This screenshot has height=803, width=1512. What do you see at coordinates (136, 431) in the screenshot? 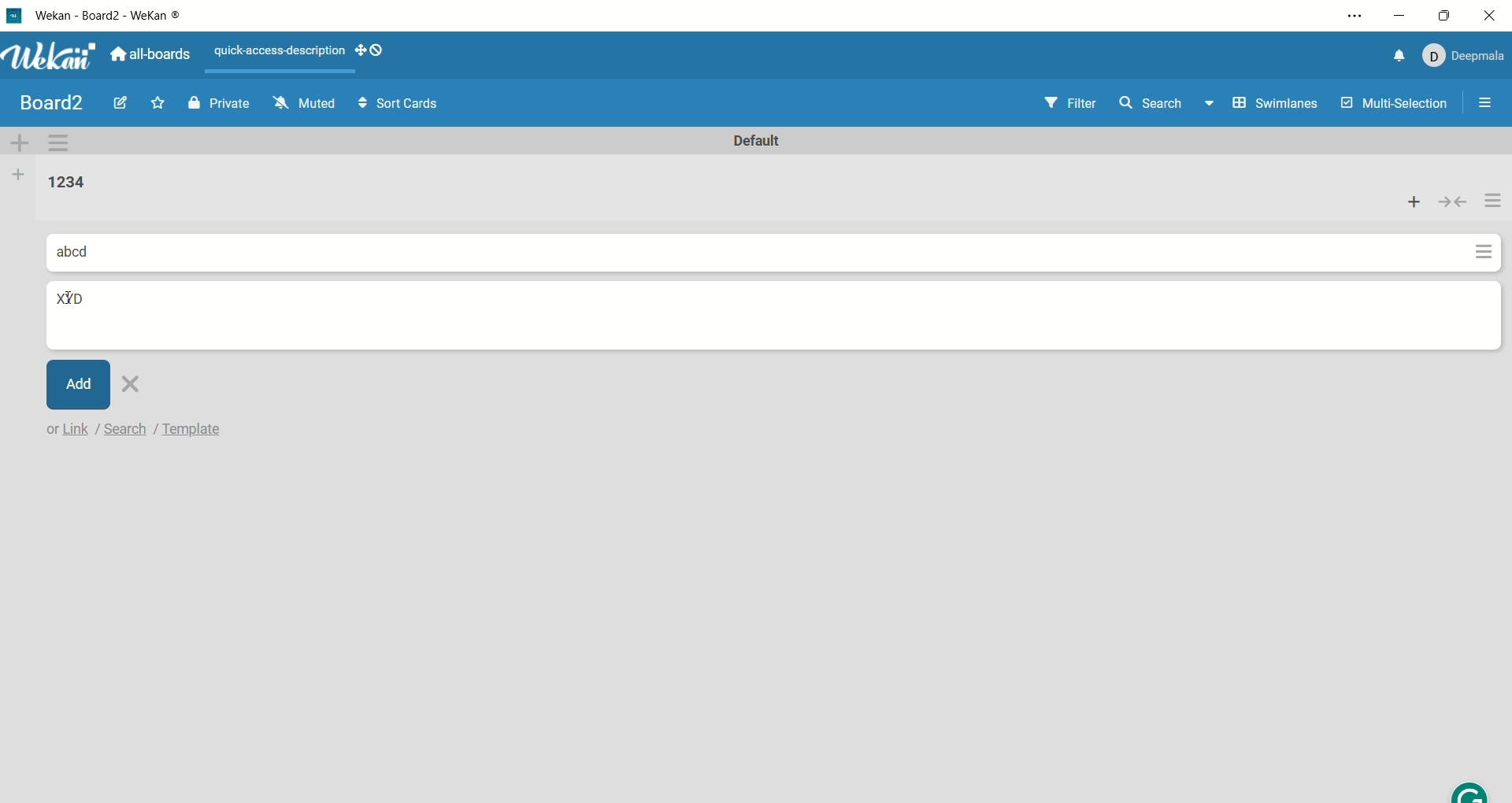
I see `text` at bounding box center [136, 431].